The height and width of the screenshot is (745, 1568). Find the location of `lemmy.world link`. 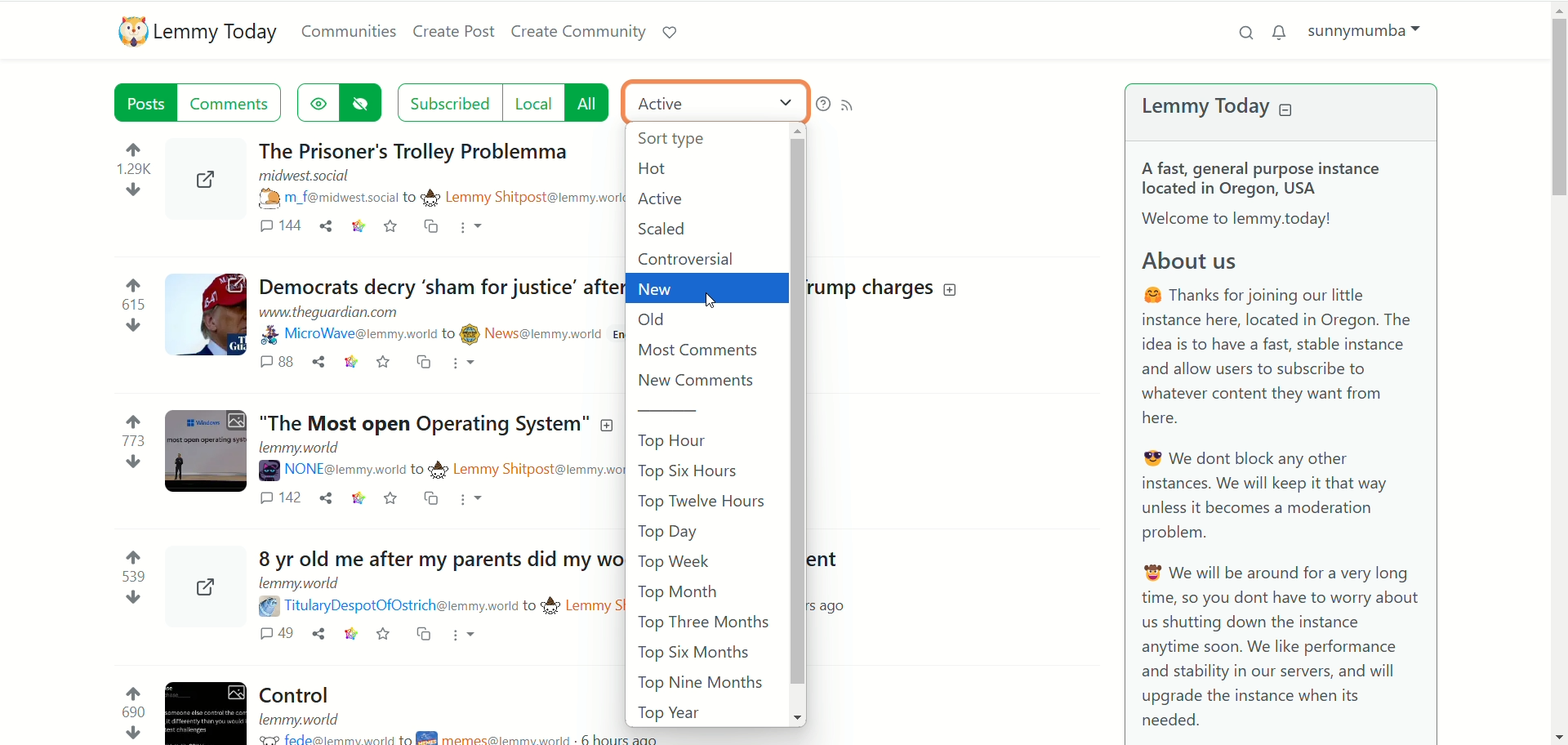

lemmy.world link is located at coordinates (302, 448).